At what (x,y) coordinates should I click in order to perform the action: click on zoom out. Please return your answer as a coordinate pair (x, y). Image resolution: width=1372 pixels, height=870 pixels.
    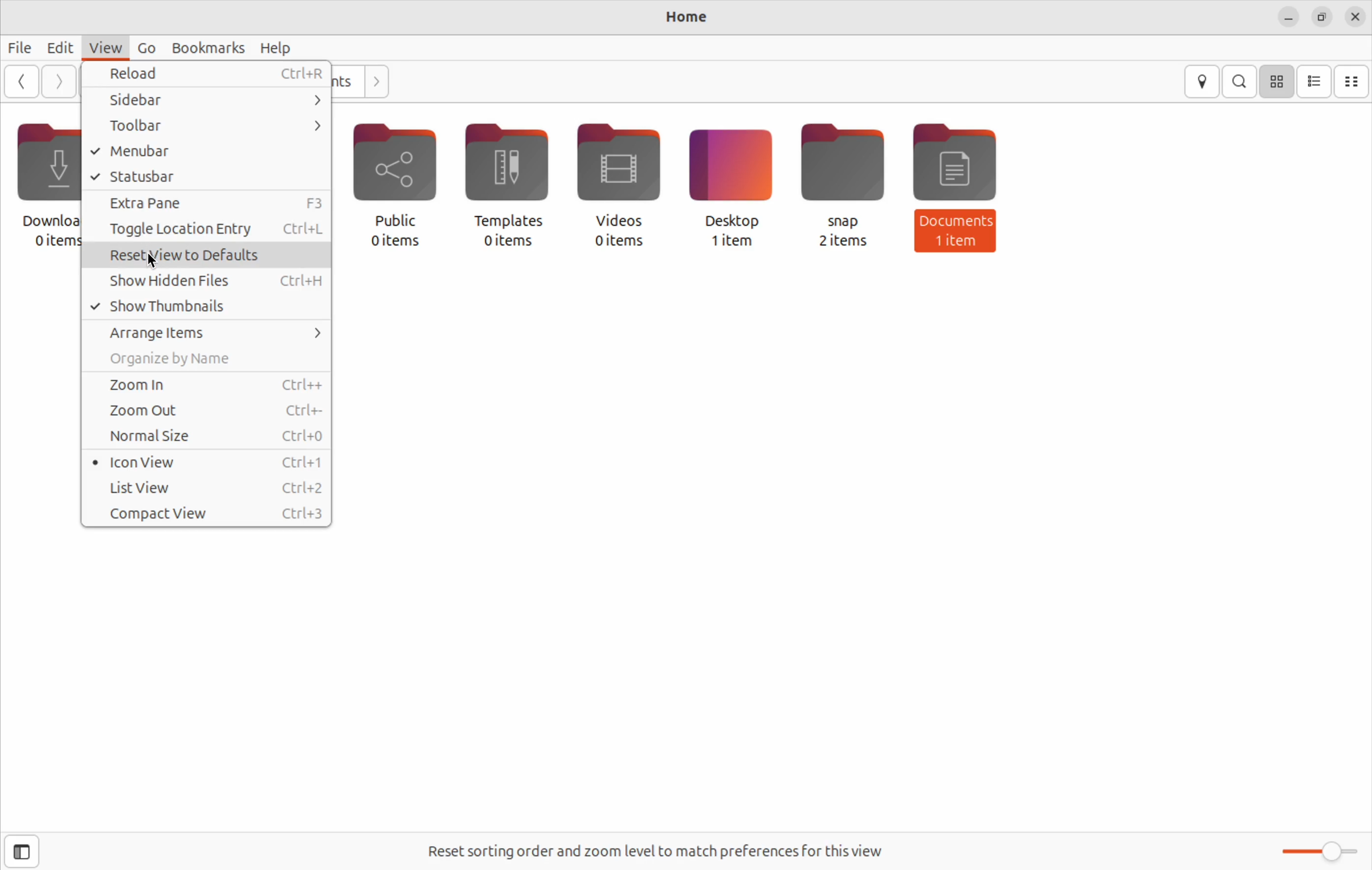
    Looking at the image, I should click on (210, 412).